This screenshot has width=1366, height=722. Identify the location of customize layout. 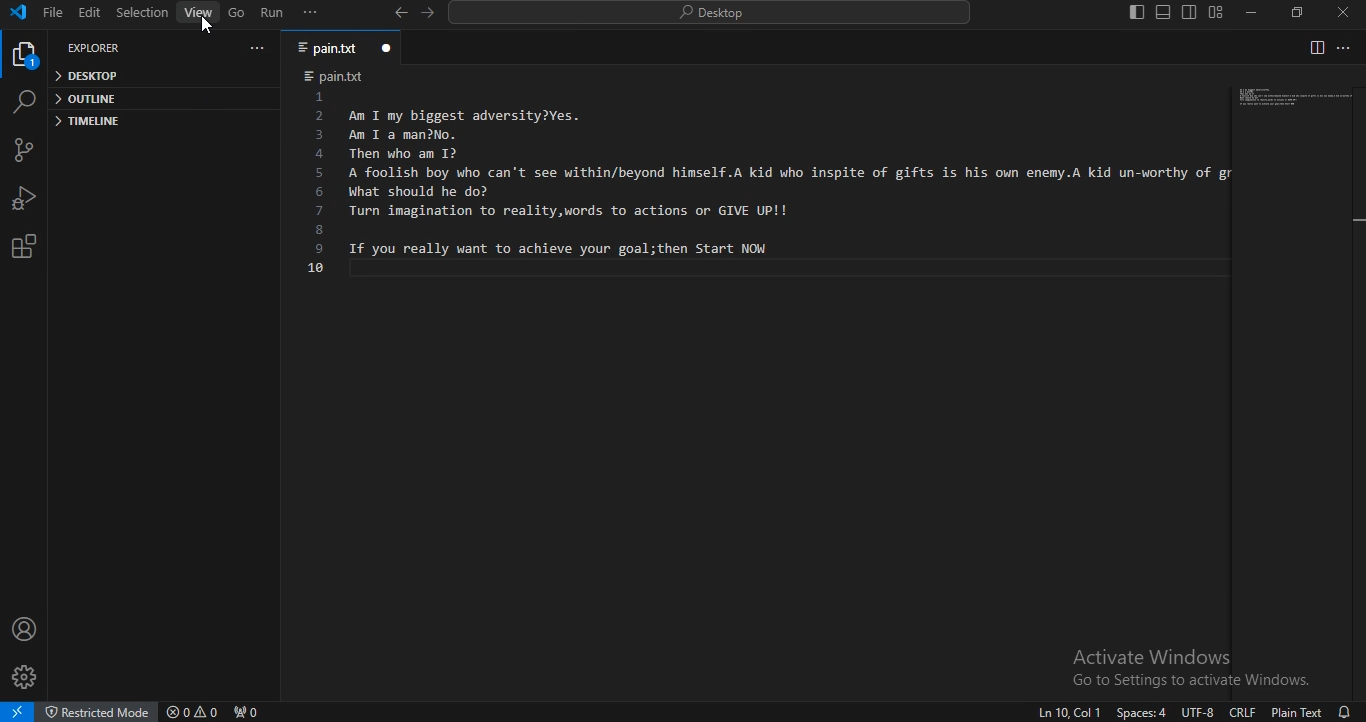
(1217, 12).